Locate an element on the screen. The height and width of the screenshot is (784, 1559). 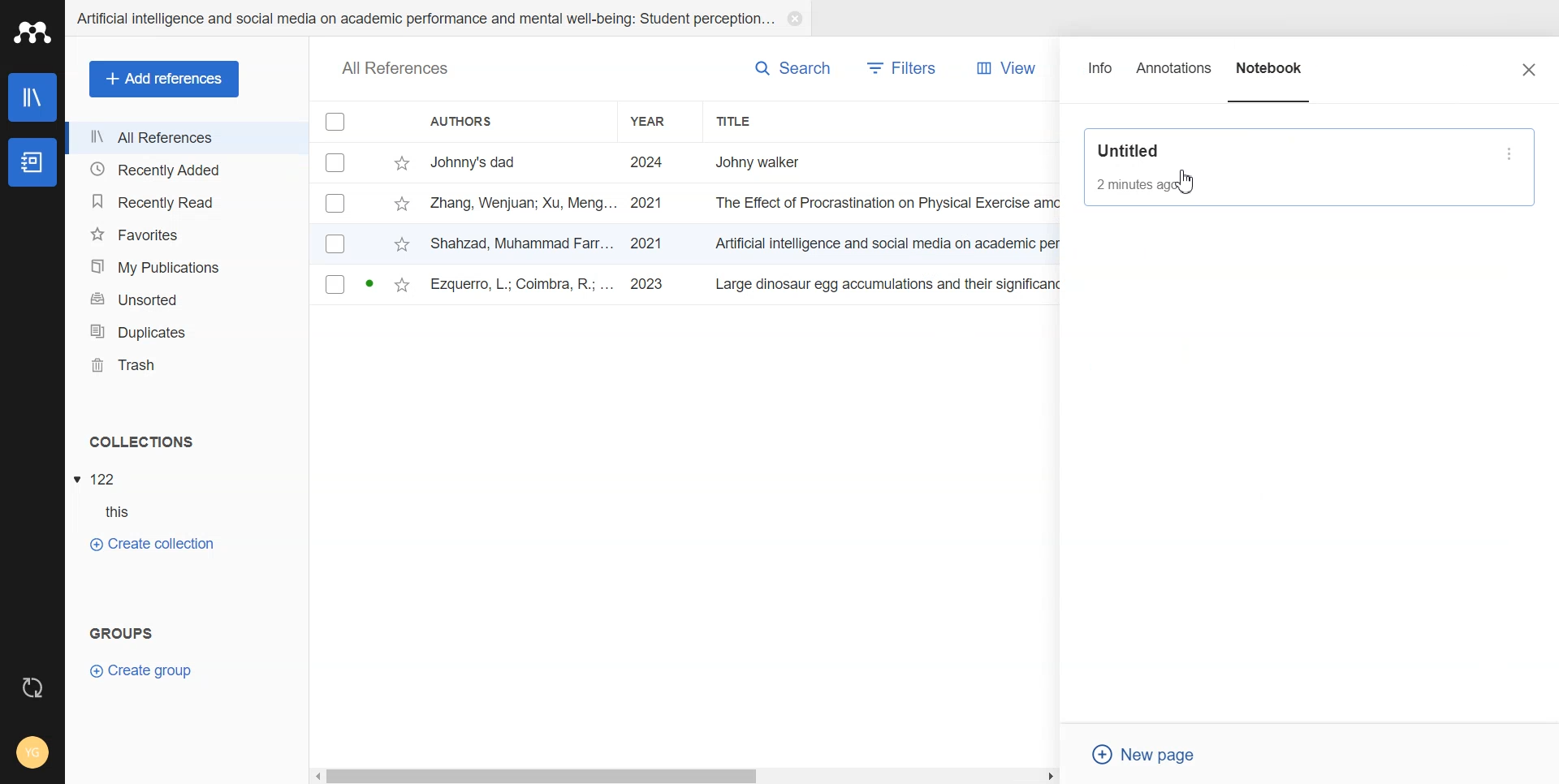
2024 is located at coordinates (648, 163).